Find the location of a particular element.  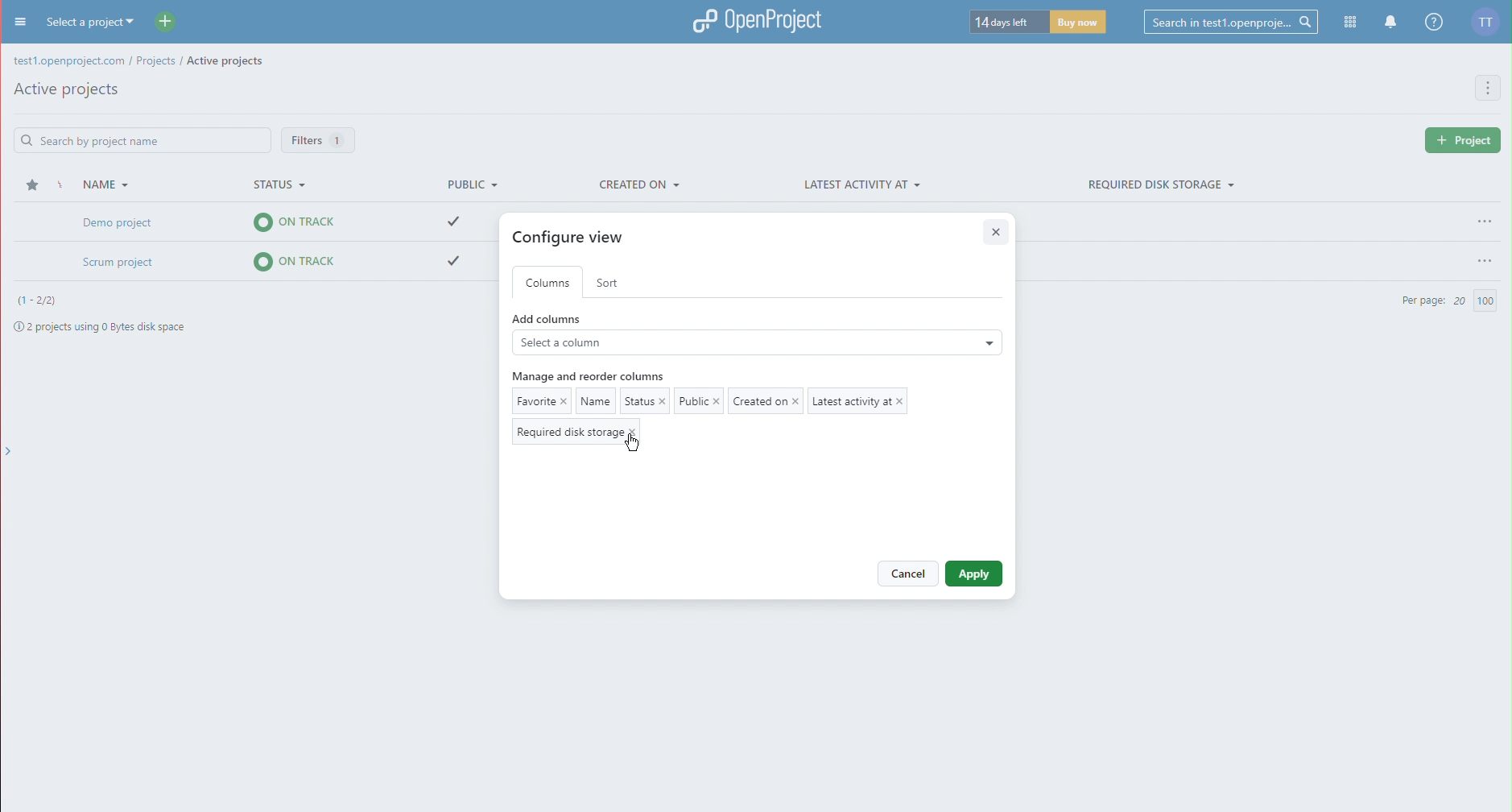

Configure view is located at coordinates (574, 237).